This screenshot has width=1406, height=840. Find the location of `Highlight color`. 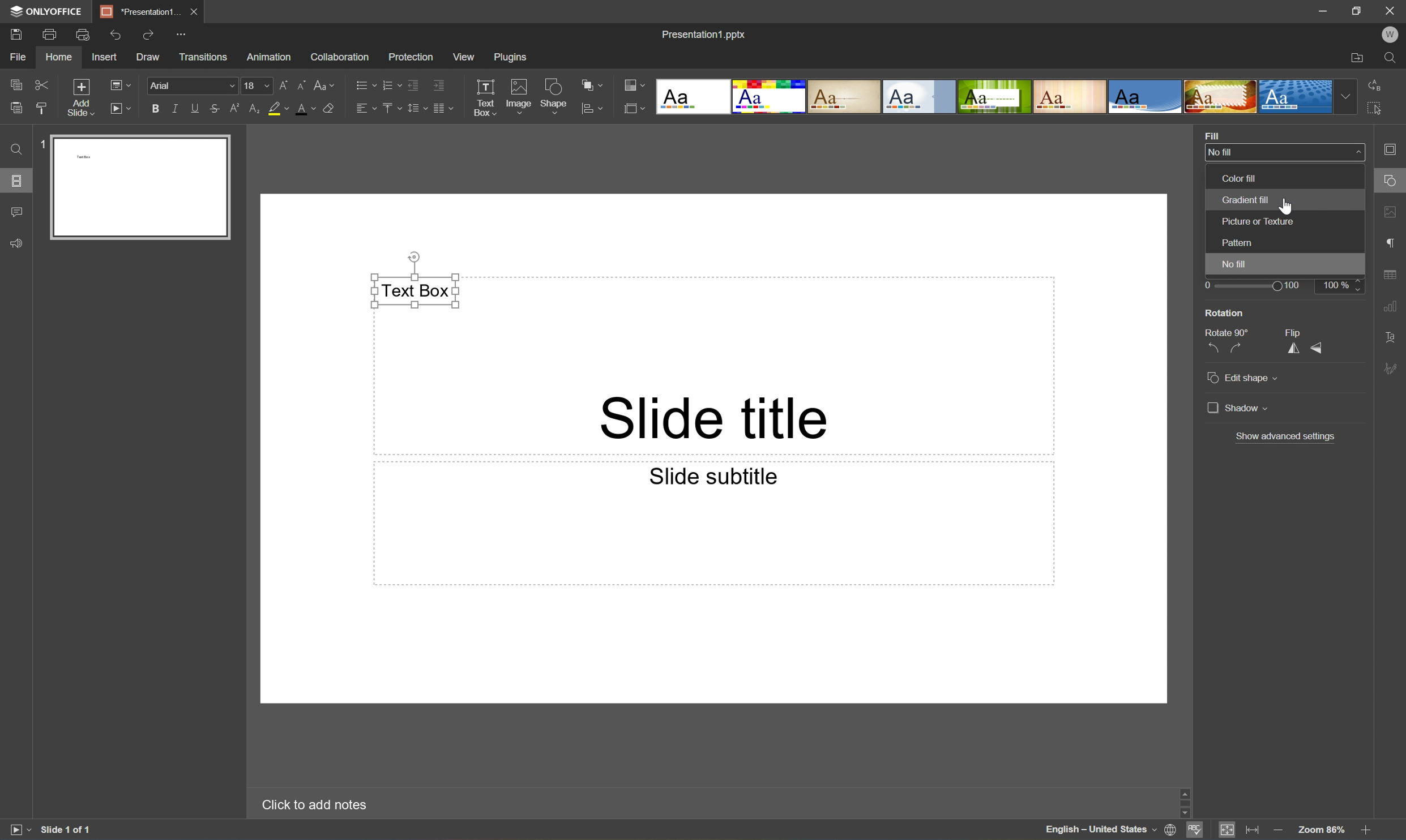

Highlight color is located at coordinates (276, 108).